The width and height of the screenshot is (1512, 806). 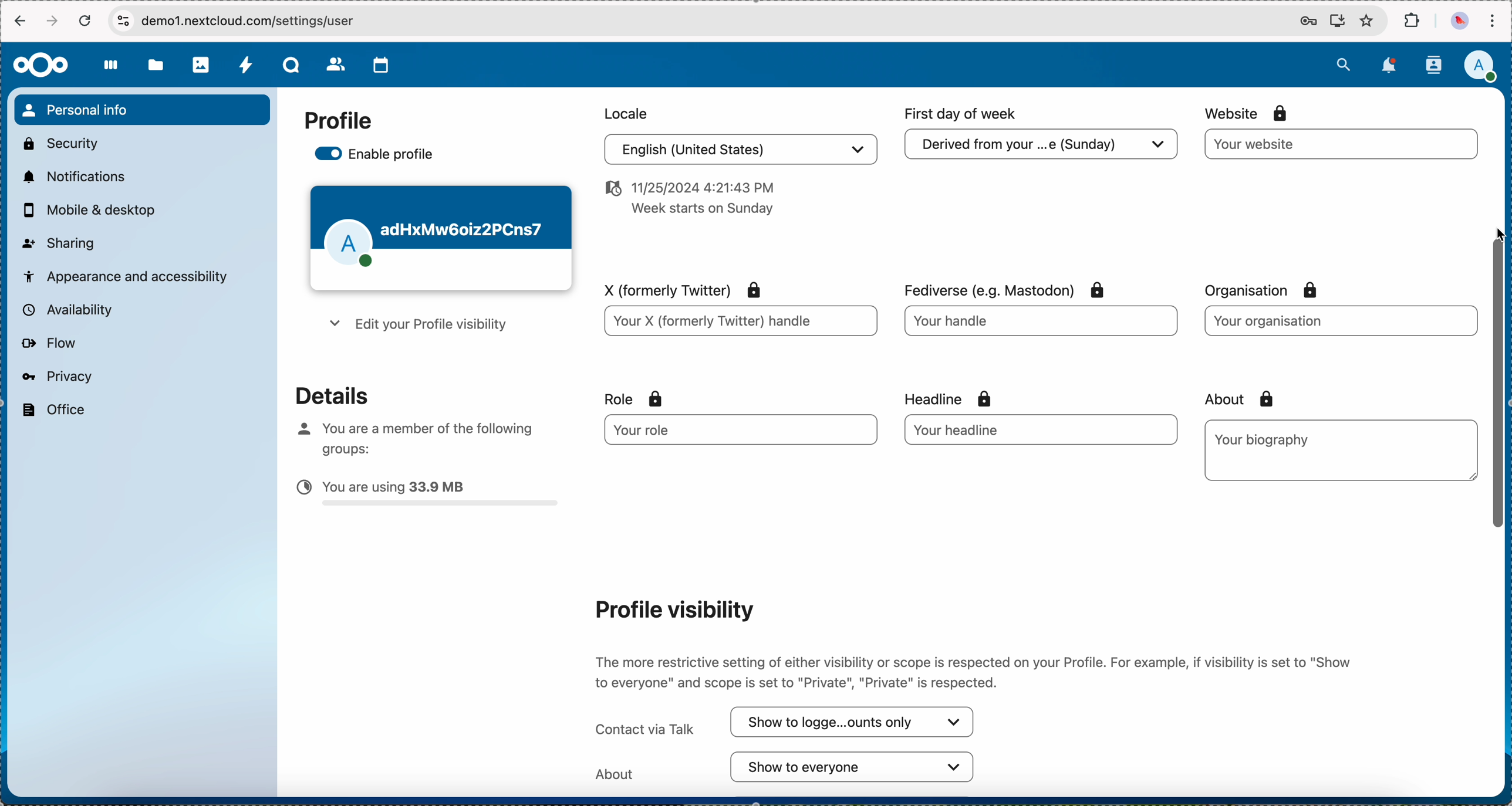 I want to click on profile, so click(x=338, y=121).